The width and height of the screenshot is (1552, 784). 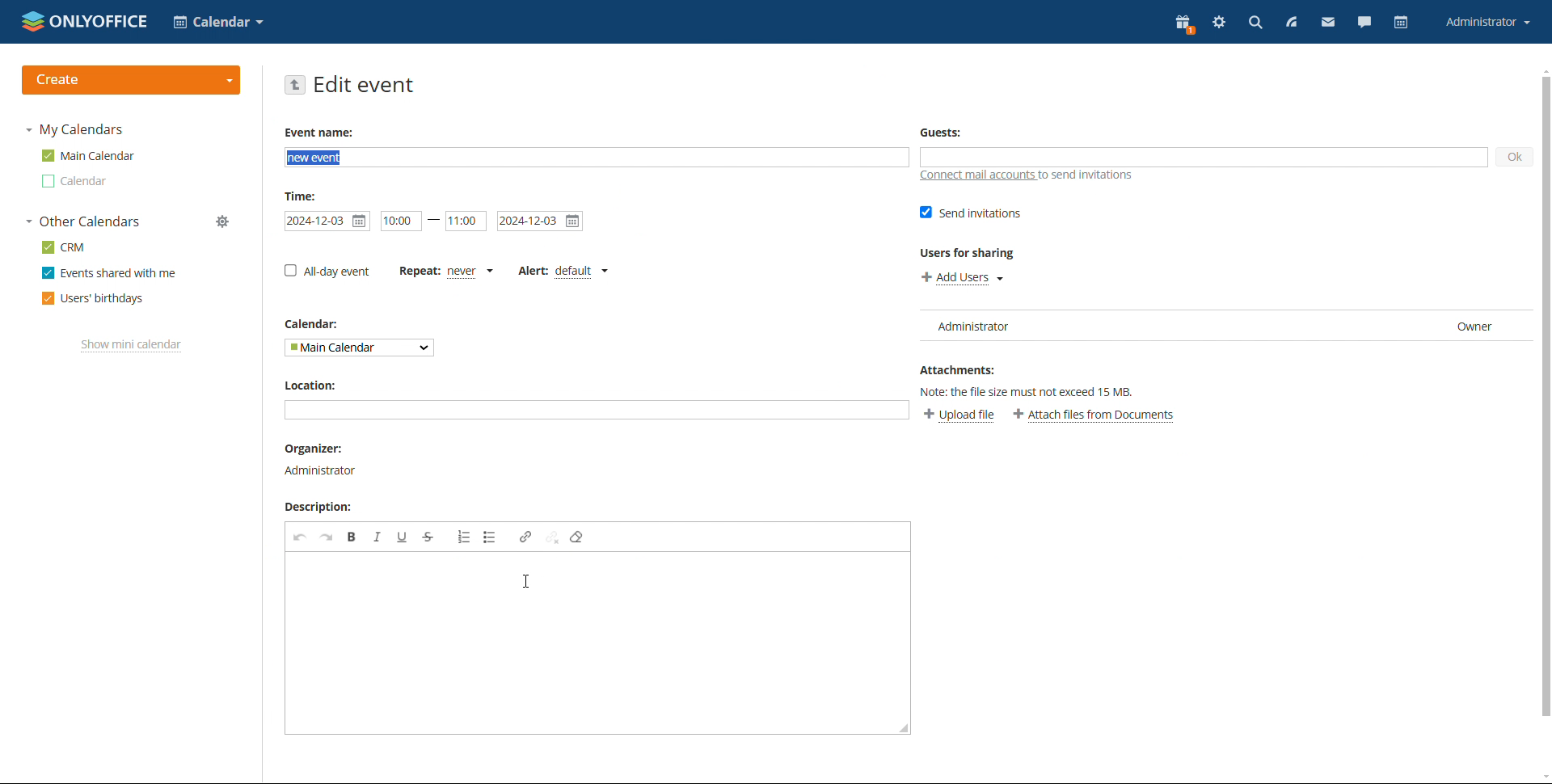 What do you see at coordinates (1291, 23) in the screenshot?
I see `feed` at bounding box center [1291, 23].